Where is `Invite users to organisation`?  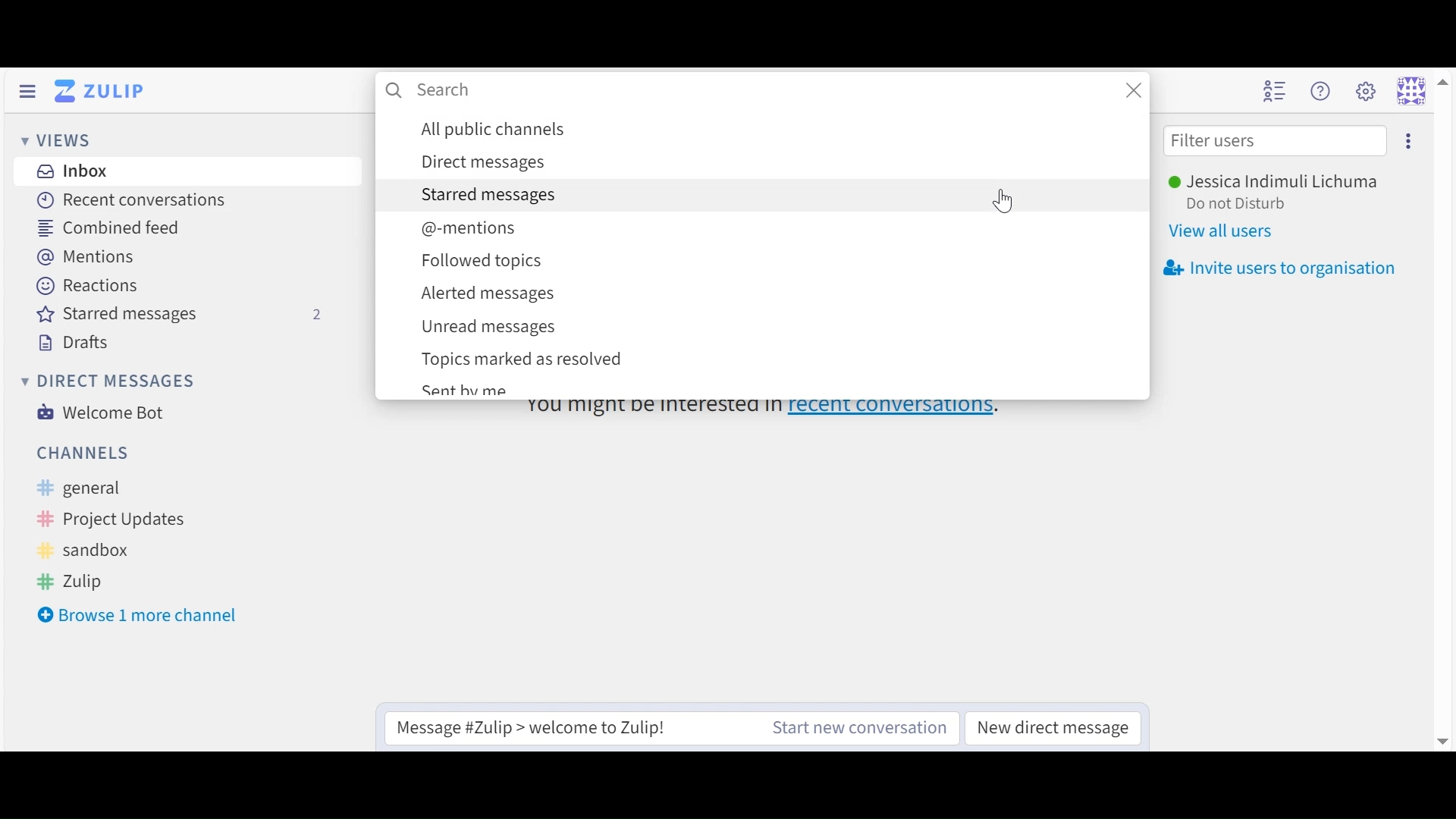 Invite users to organisation is located at coordinates (1281, 269).